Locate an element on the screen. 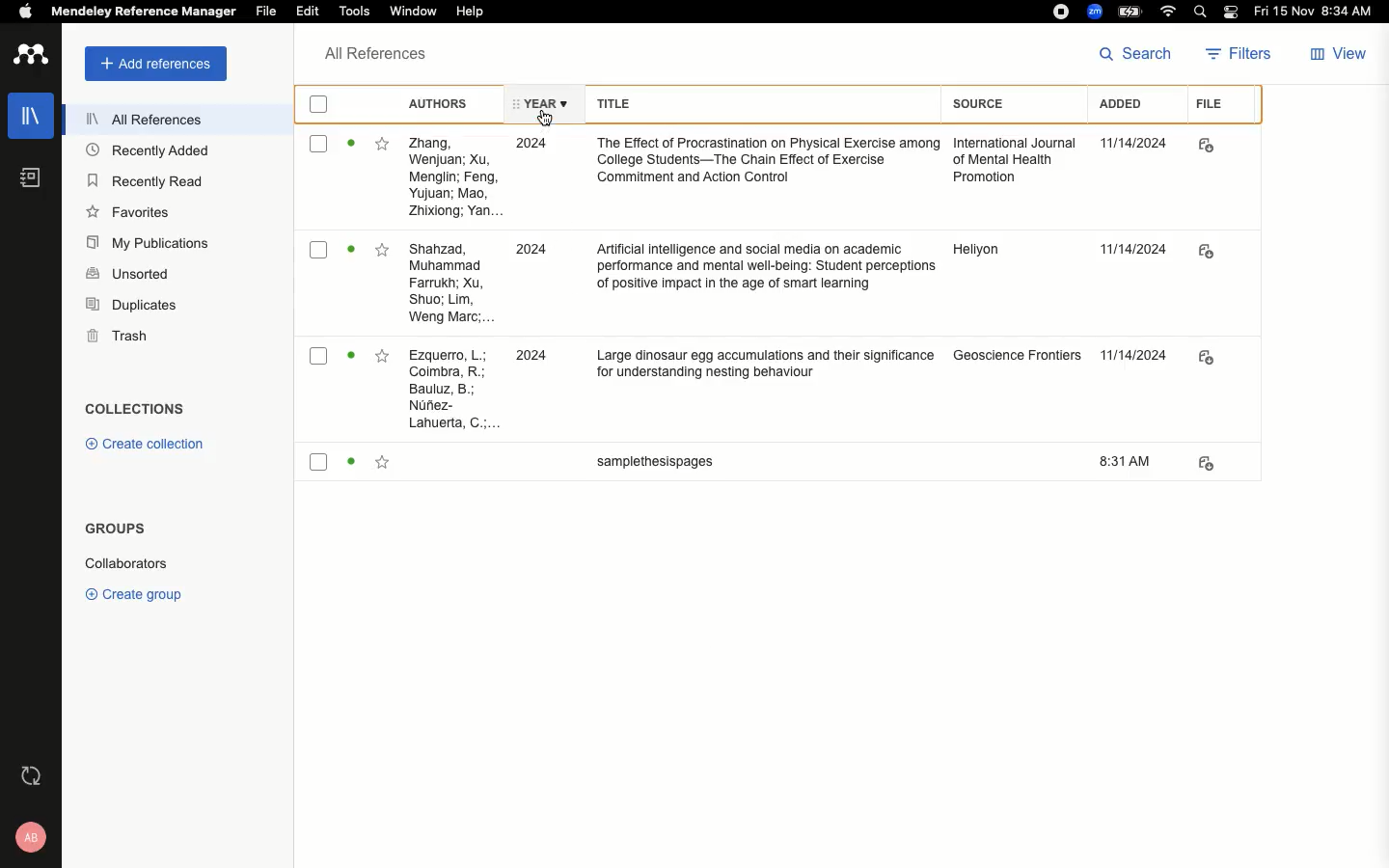  added  is located at coordinates (1133, 255).